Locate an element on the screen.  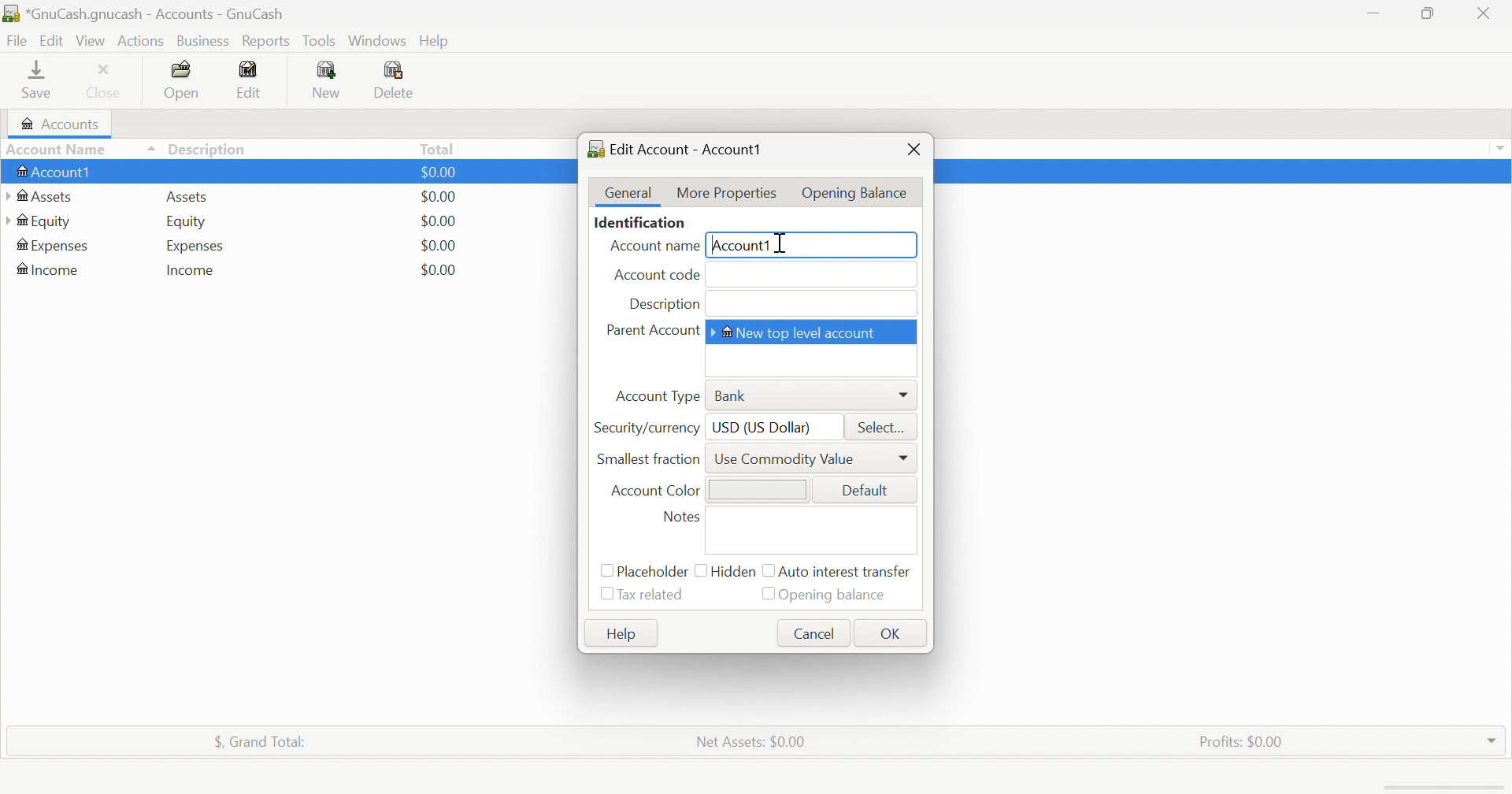
More is located at coordinates (904, 394).